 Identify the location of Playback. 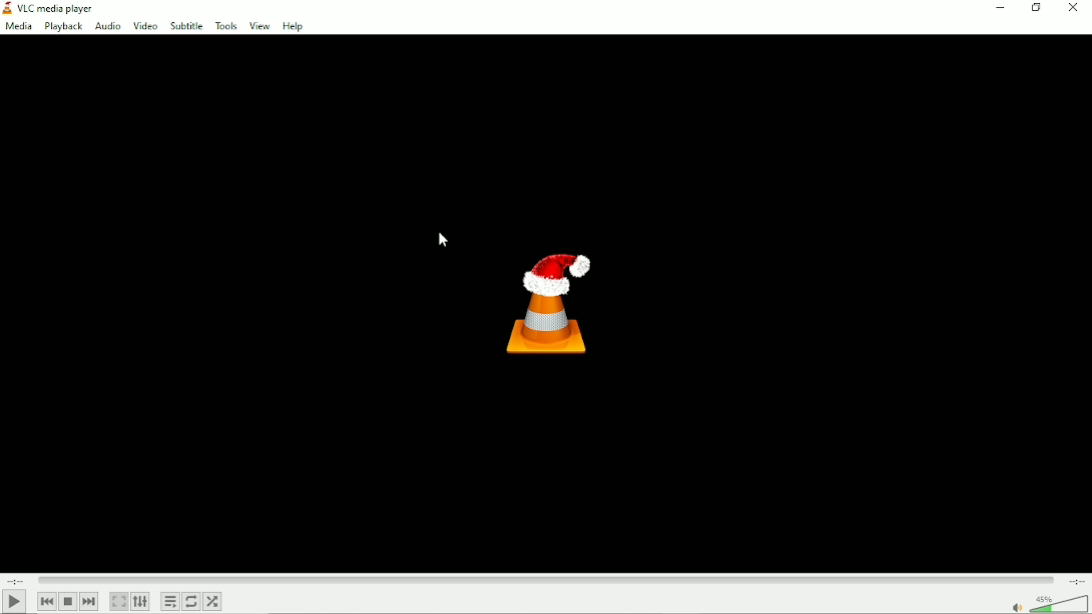
(61, 27).